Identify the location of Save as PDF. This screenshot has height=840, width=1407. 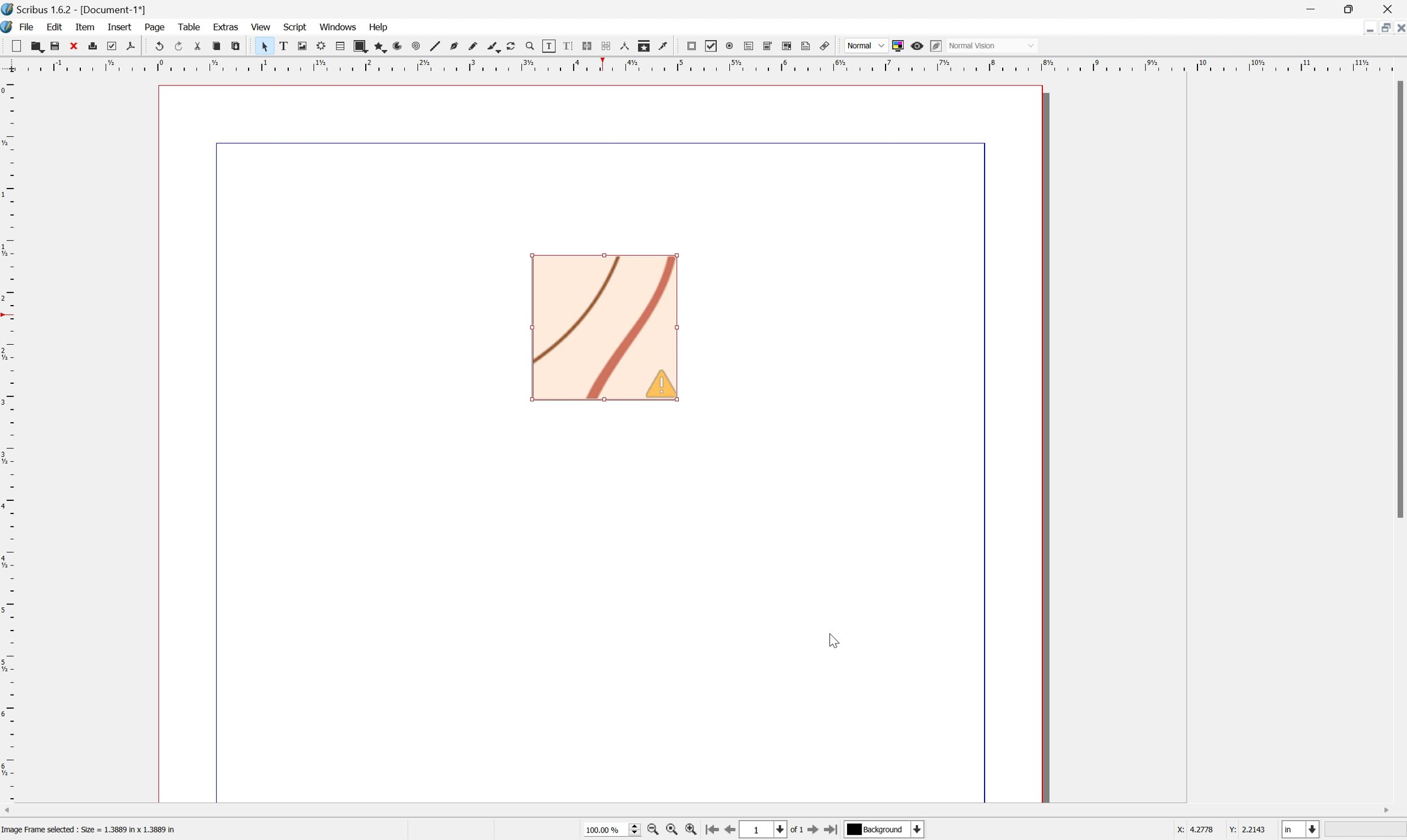
(131, 45).